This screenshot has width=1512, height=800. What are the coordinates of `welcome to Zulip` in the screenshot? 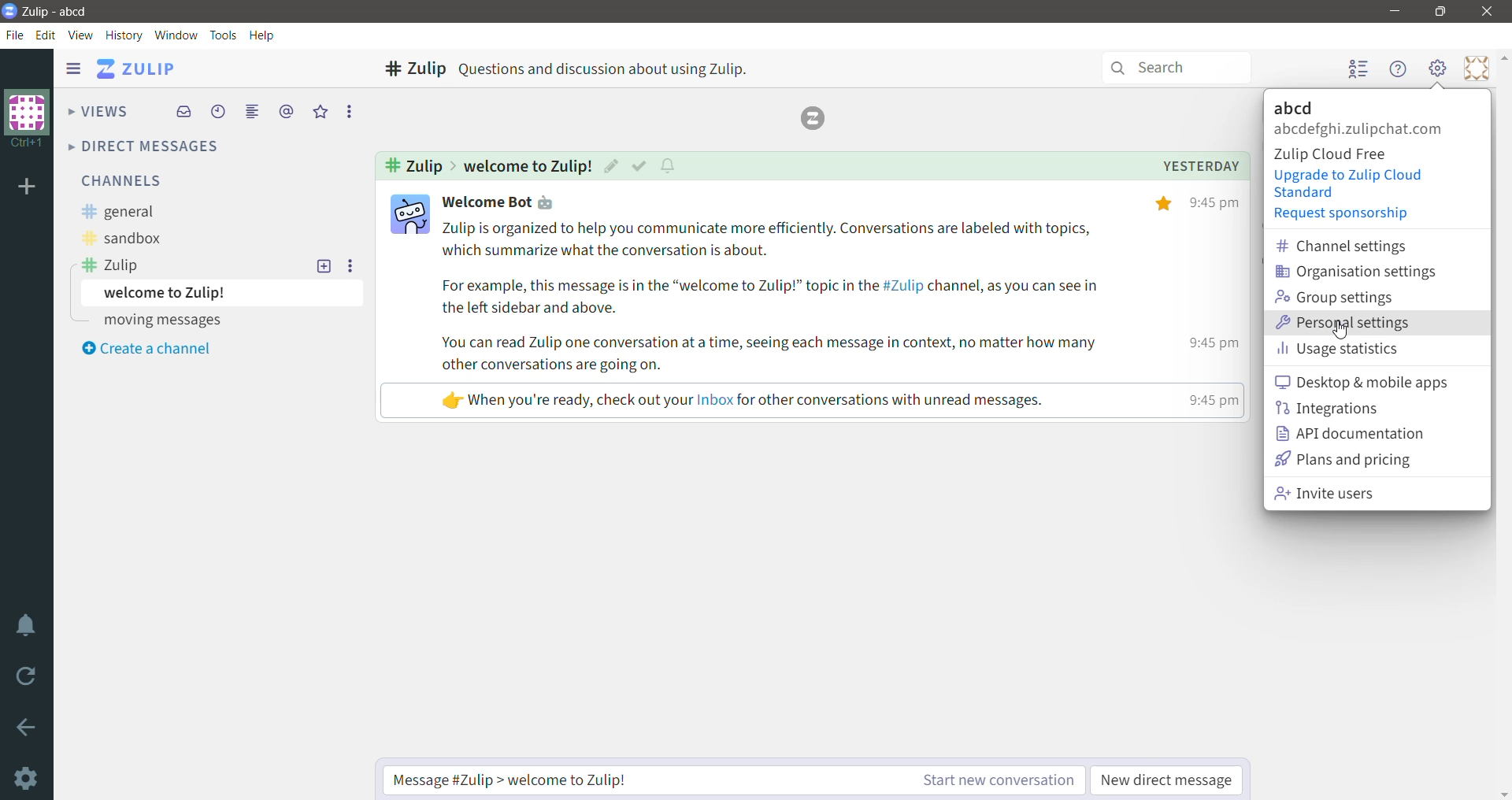 It's located at (221, 293).